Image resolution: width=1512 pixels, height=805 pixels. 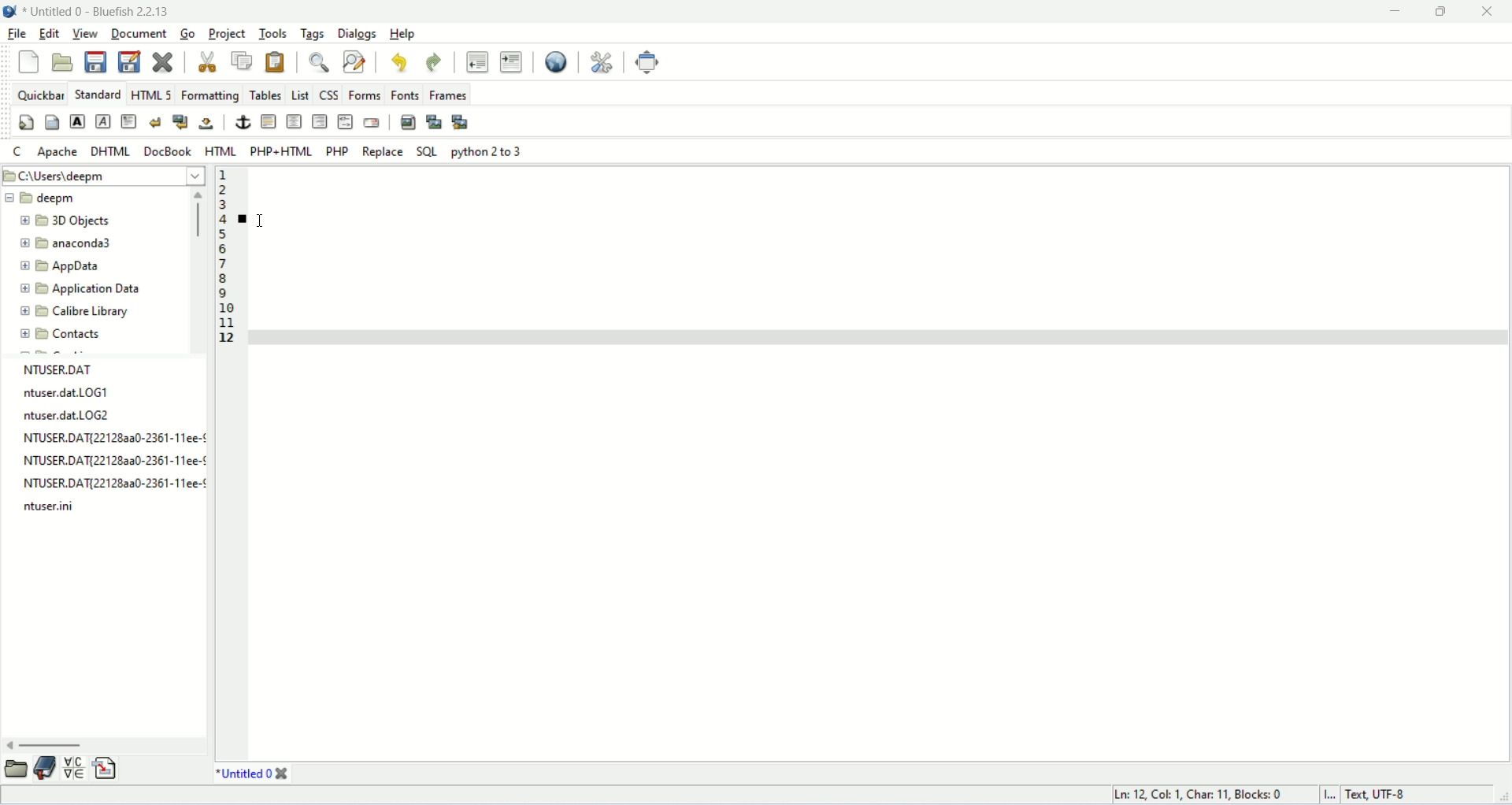 What do you see at coordinates (321, 122) in the screenshot?
I see `right justify` at bounding box center [321, 122].